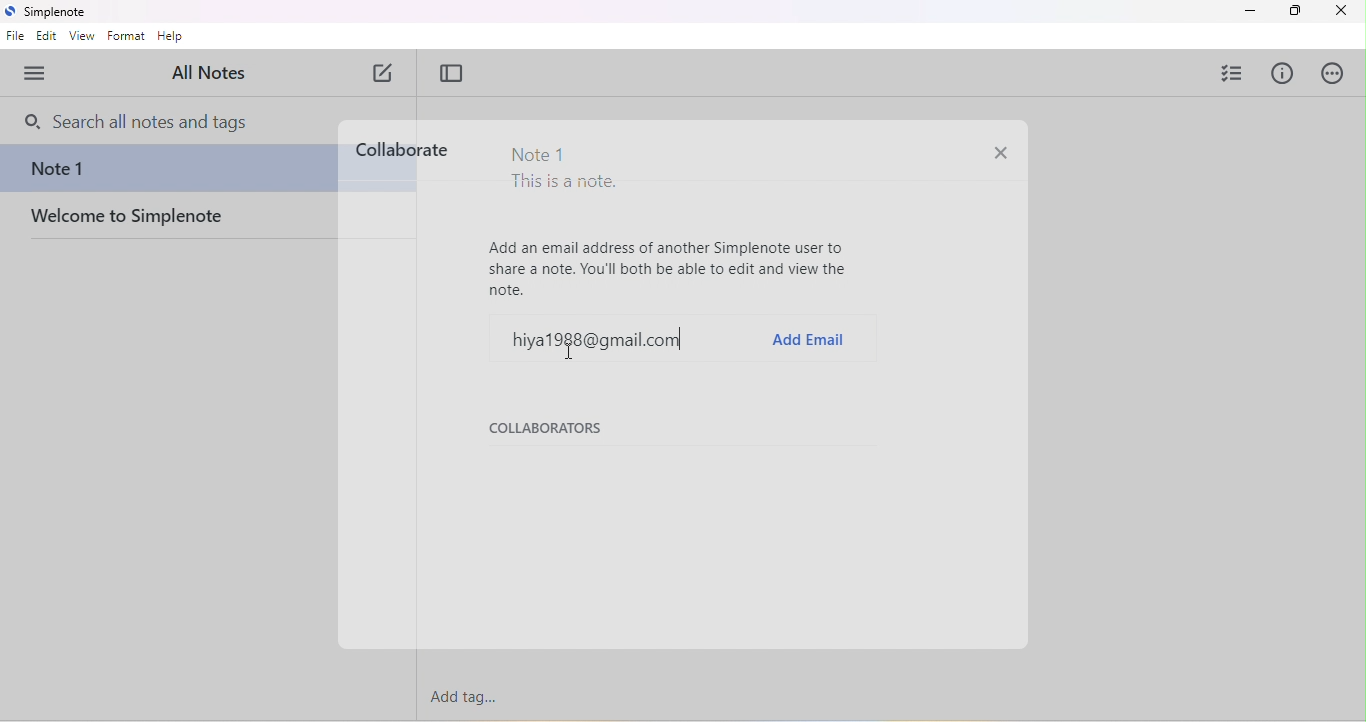 This screenshot has width=1366, height=722. Describe the element at coordinates (1231, 72) in the screenshot. I see `insert checklist` at that location.